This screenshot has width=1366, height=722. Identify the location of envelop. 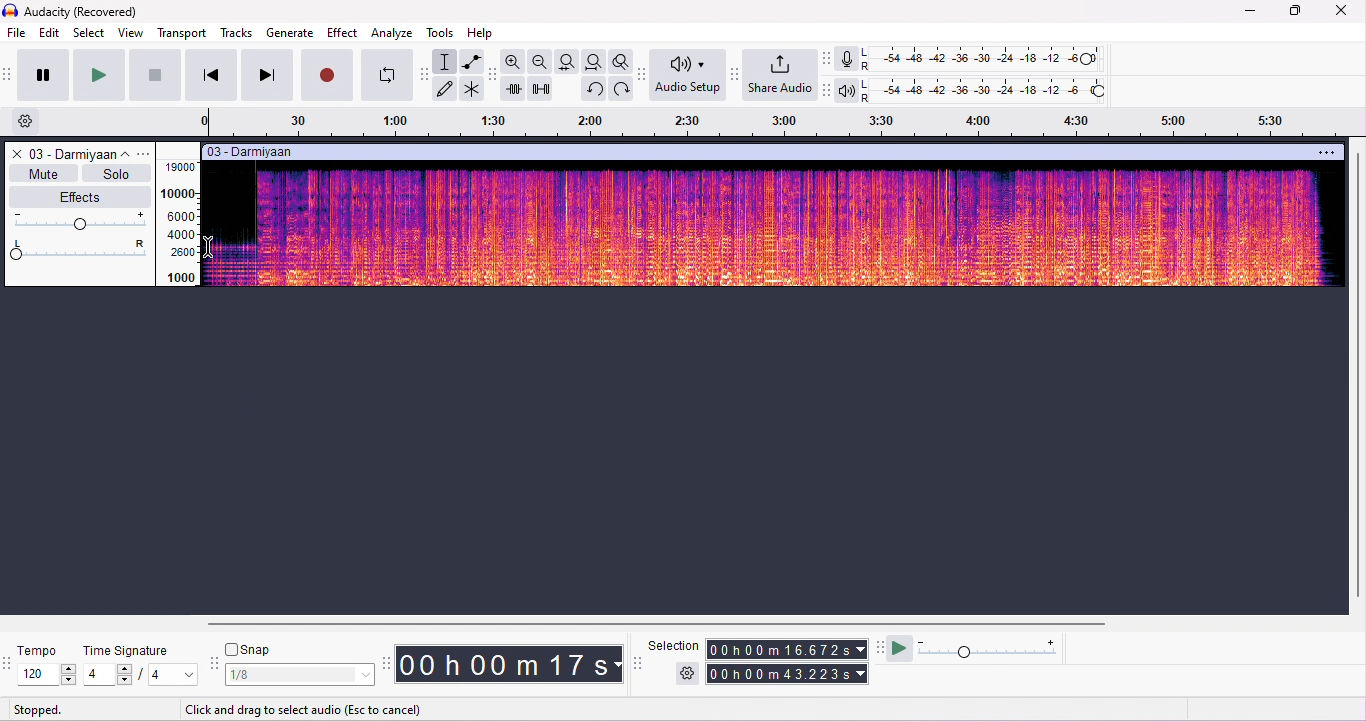
(474, 62).